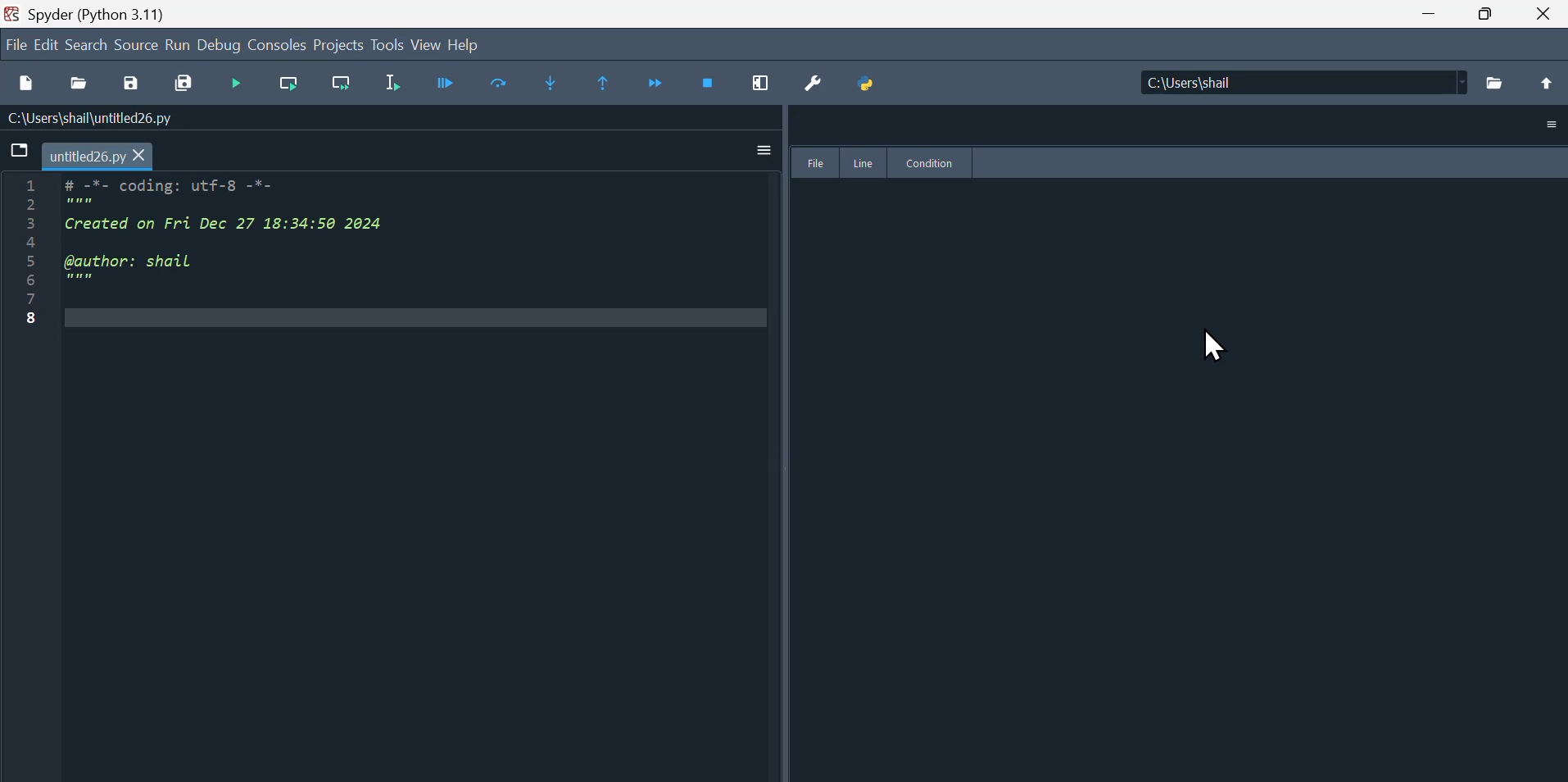  What do you see at coordinates (138, 46) in the screenshot?
I see `source` at bounding box center [138, 46].